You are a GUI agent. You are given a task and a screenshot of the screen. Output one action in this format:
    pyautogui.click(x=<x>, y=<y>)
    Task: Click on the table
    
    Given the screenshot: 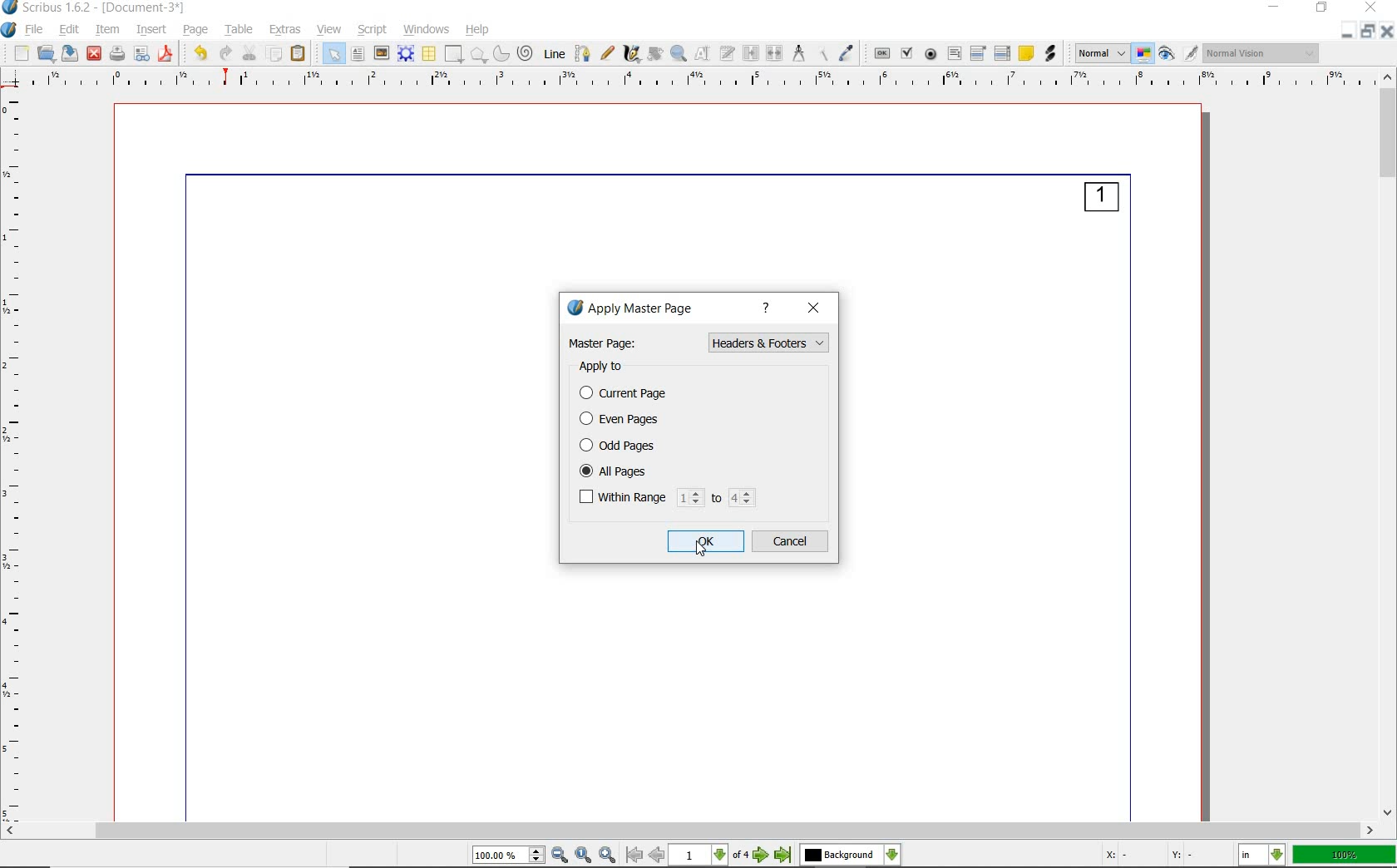 What is the action you would take?
    pyautogui.click(x=429, y=52)
    